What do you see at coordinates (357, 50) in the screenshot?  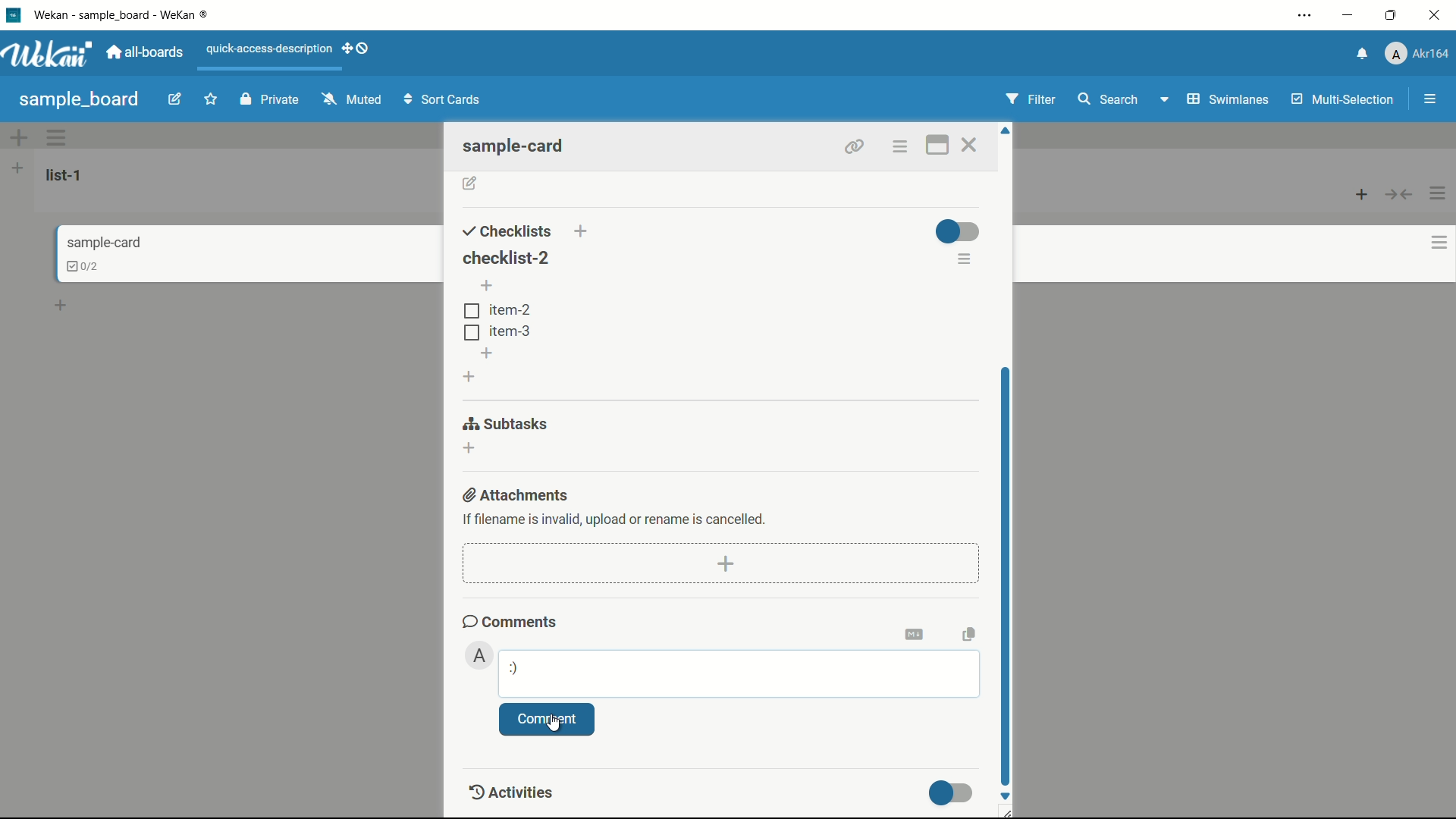 I see `show-desktop-drag-handles` at bounding box center [357, 50].